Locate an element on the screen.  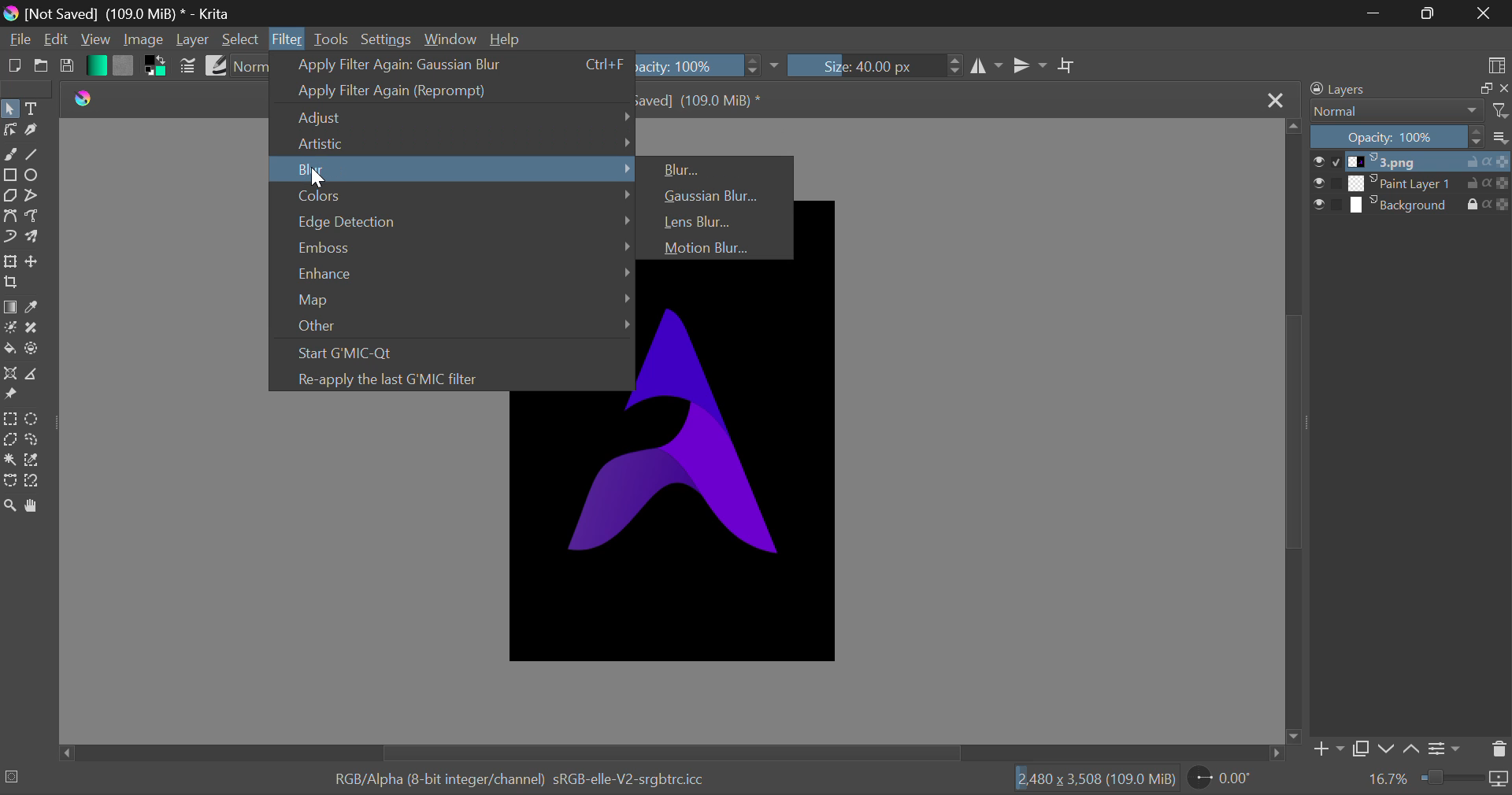
Scroll Bar is located at coordinates (1295, 431).